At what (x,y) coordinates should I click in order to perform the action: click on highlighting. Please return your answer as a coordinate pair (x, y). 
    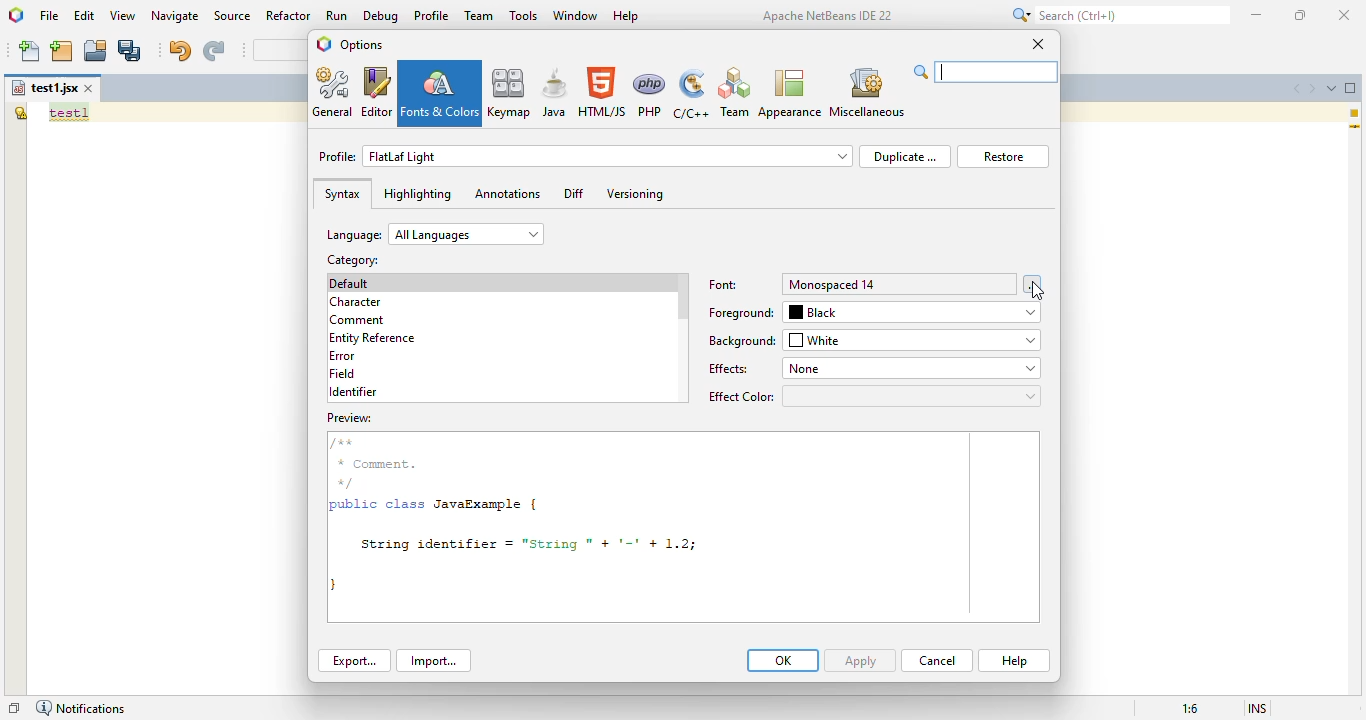
    Looking at the image, I should click on (417, 194).